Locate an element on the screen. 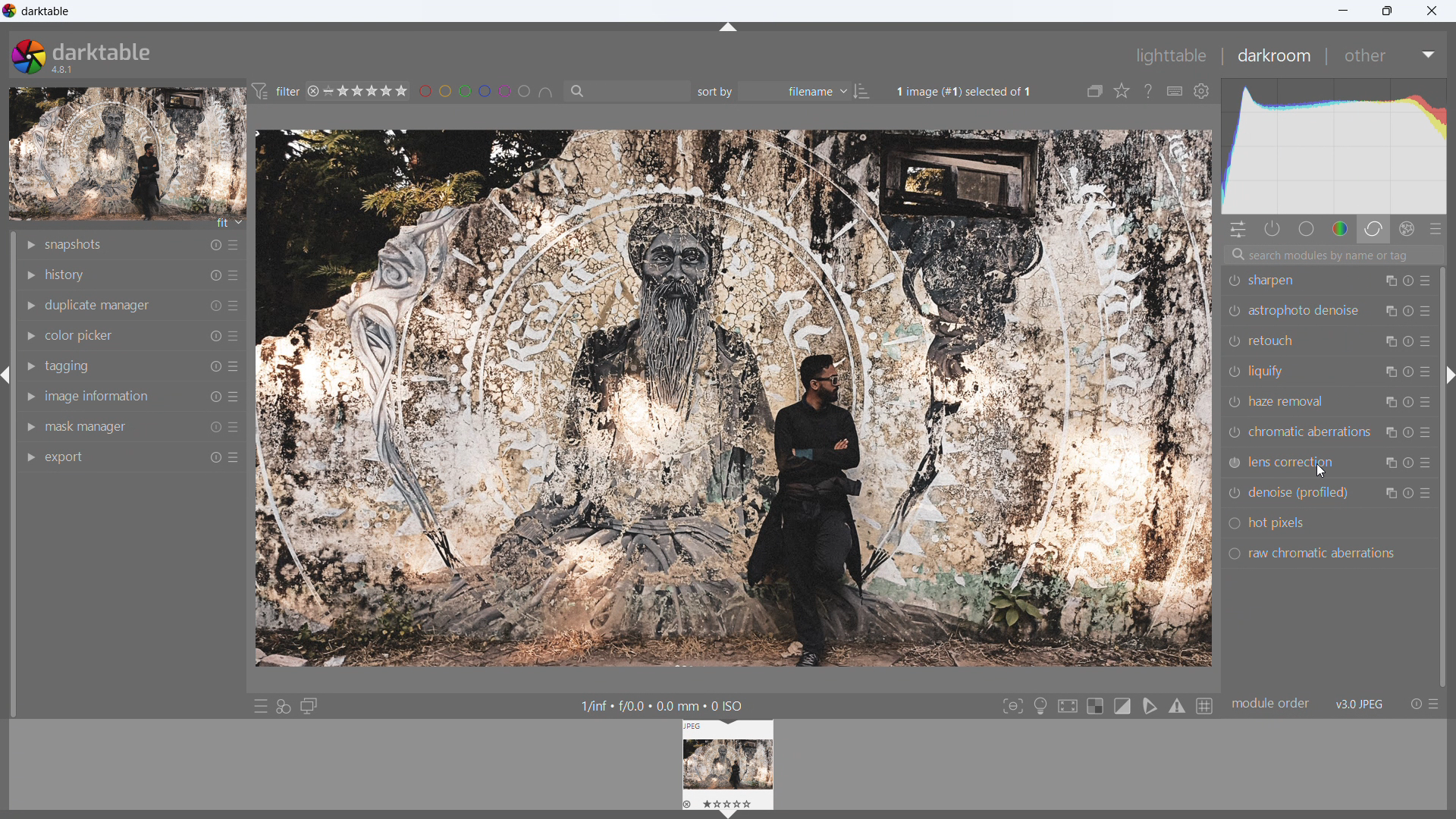 The height and width of the screenshot is (819, 1456). define shortcuts is located at coordinates (1175, 91).